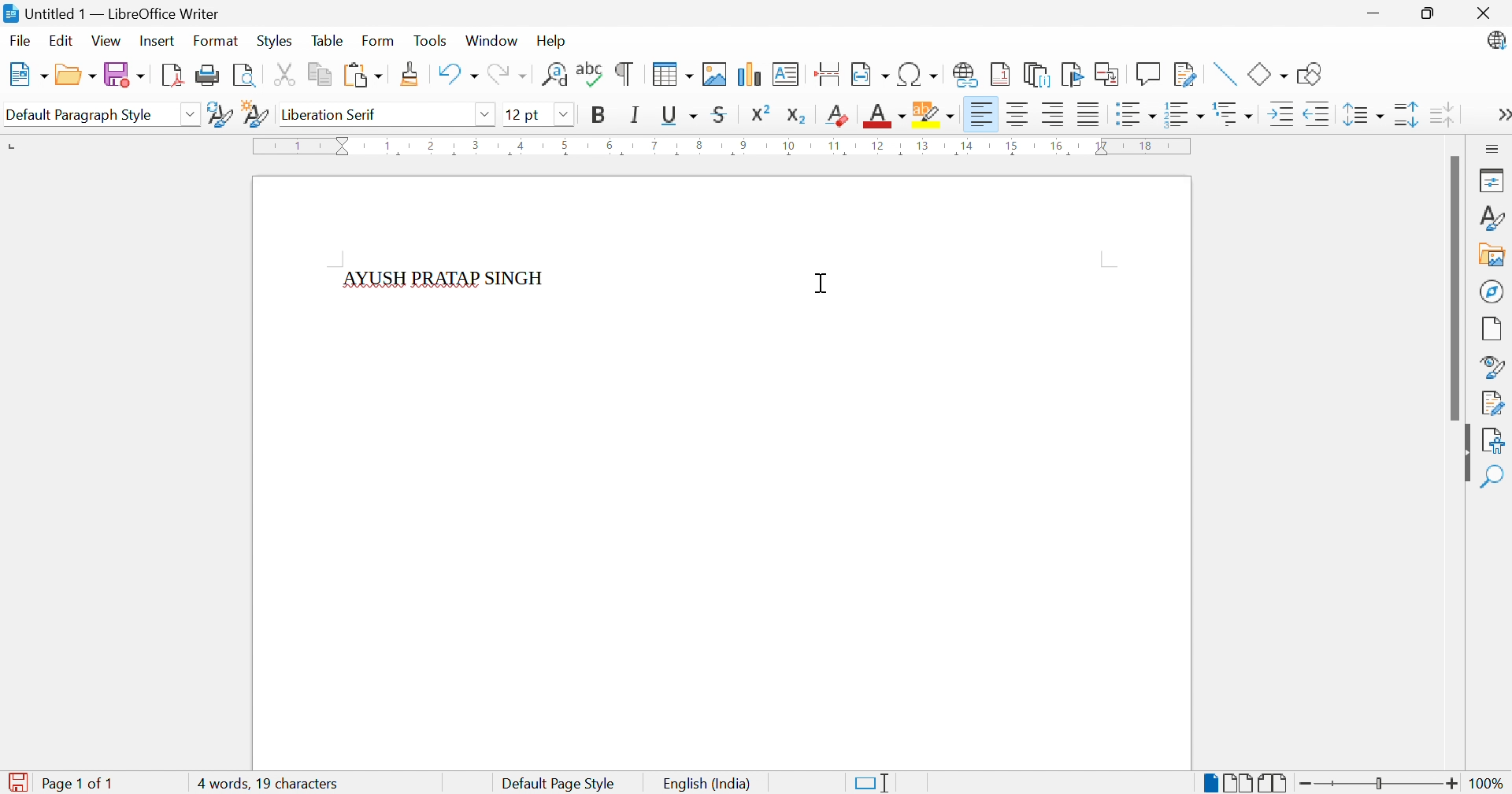  What do you see at coordinates (1372, 10) in the screenshot?
I see `Minimize` at bounding box center [1372, 10].